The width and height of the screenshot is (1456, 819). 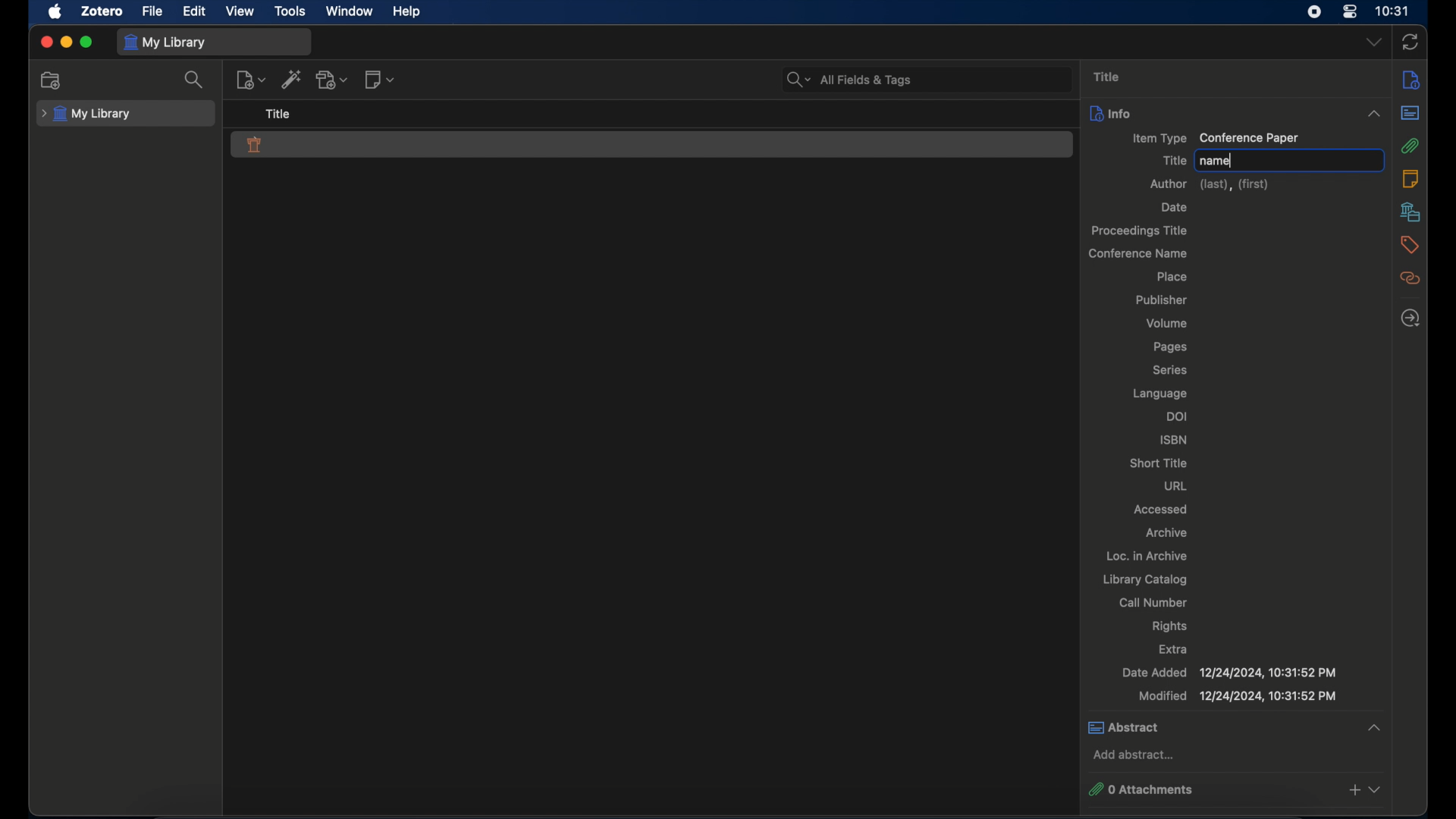 I want to click on conference paper, so click(x=255, y=145).